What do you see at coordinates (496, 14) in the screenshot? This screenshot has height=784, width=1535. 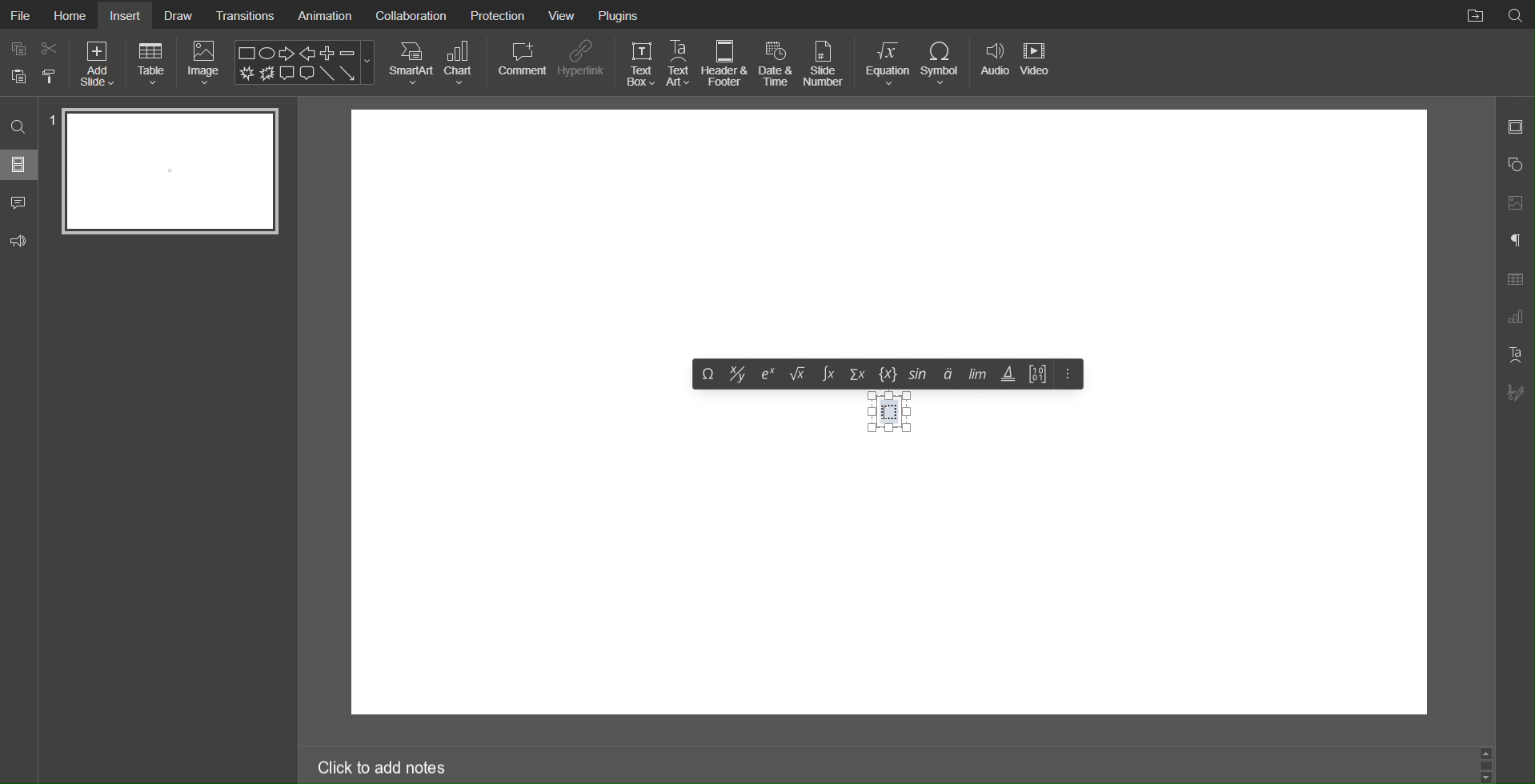 I see `Protection` at bounding box center [496, 14].